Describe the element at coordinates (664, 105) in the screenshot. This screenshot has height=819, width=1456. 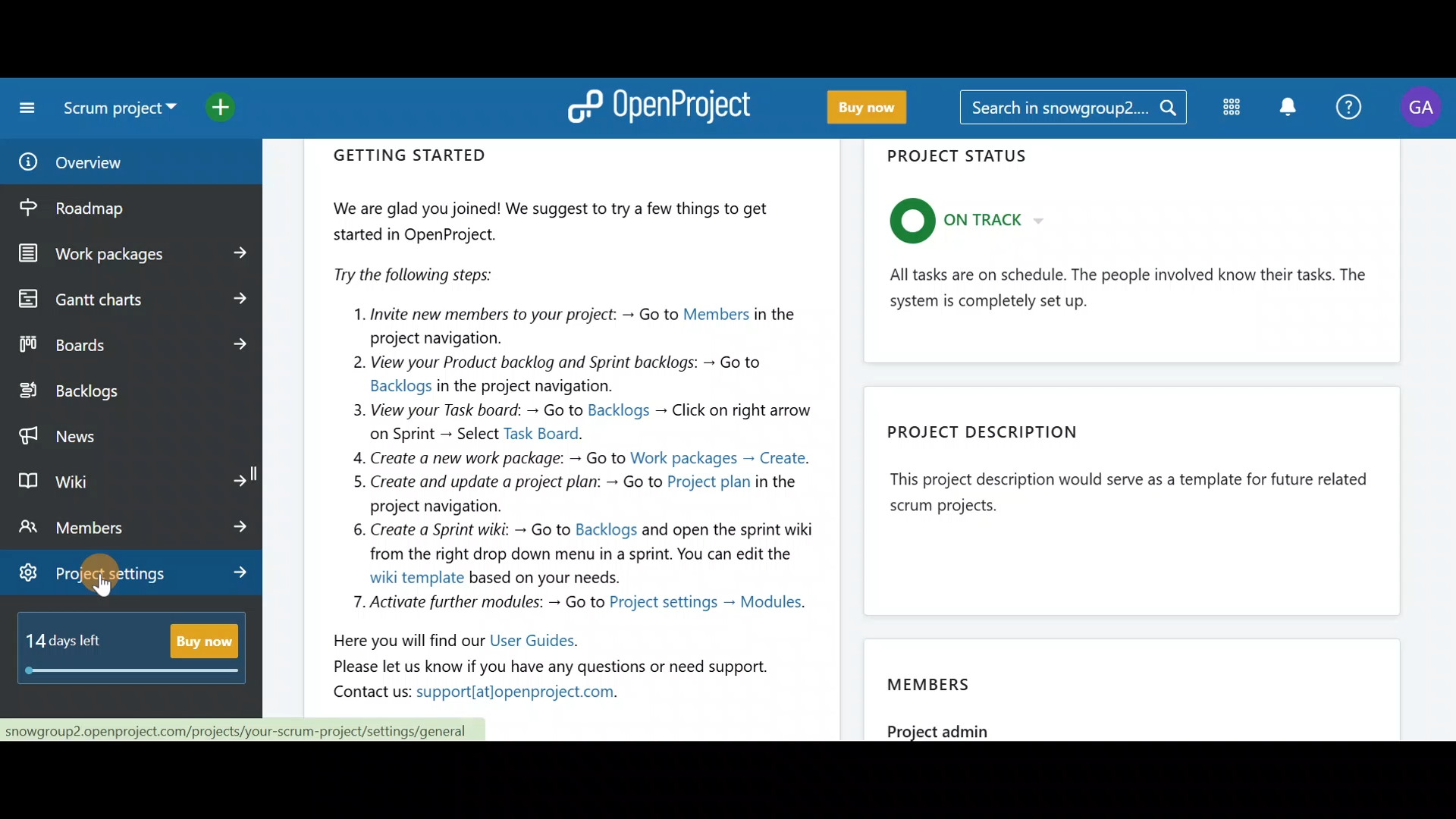
I see `OpenProject` at that location.